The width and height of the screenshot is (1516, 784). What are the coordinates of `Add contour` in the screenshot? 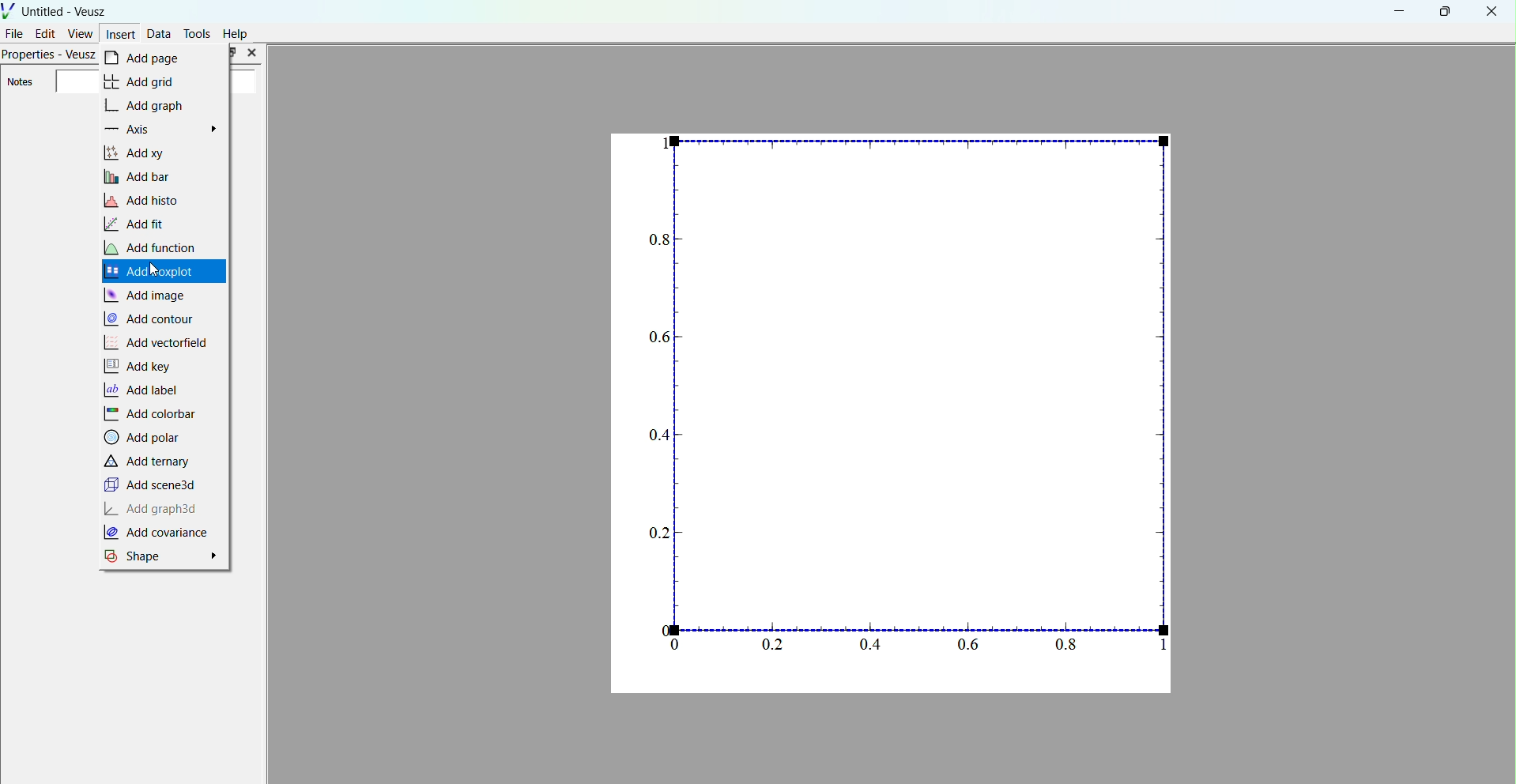 It's located at (150, 318).